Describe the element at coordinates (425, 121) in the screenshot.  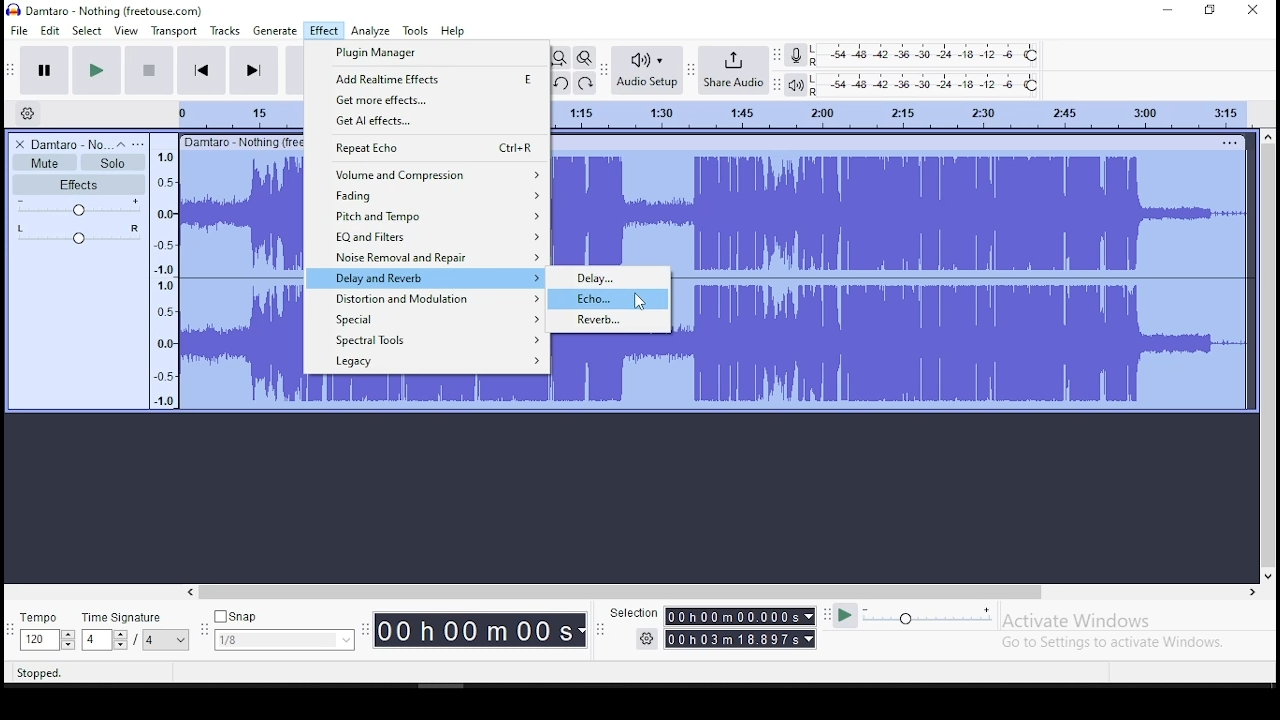
I see `get AI effects` at that location.